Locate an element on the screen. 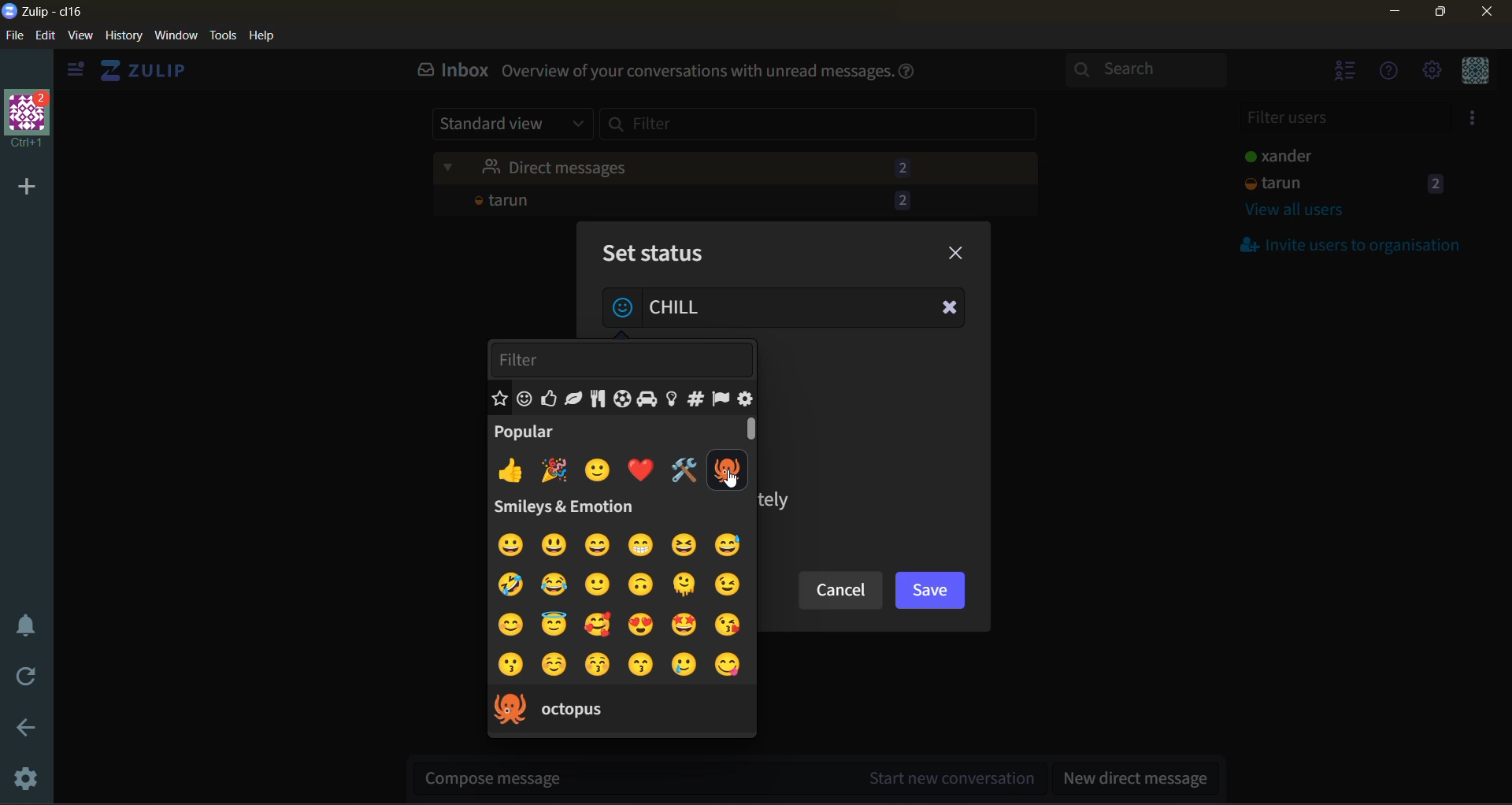  close is located at coordinates (1489, 14).